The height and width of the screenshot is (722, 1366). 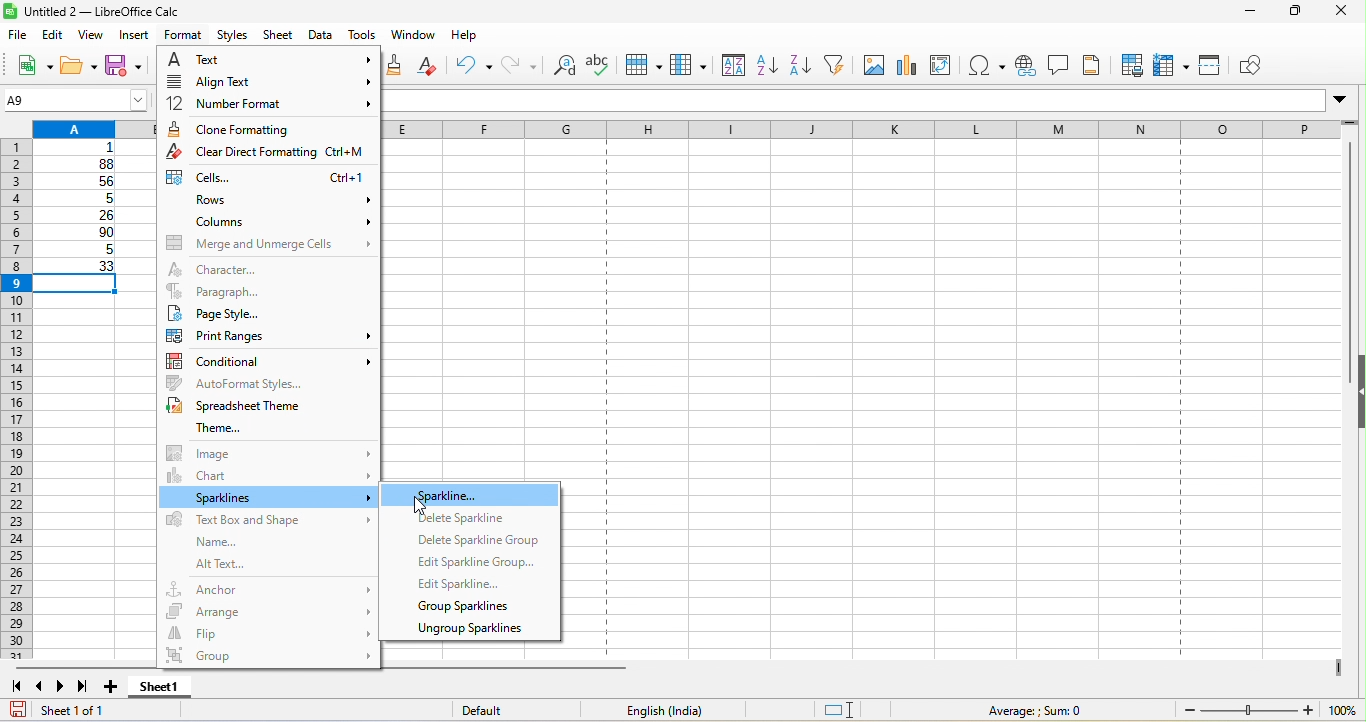 What do you see at coordinates (768, 67) in the screenshot?
I see `sort ascending` at bounding box center [768, 67].